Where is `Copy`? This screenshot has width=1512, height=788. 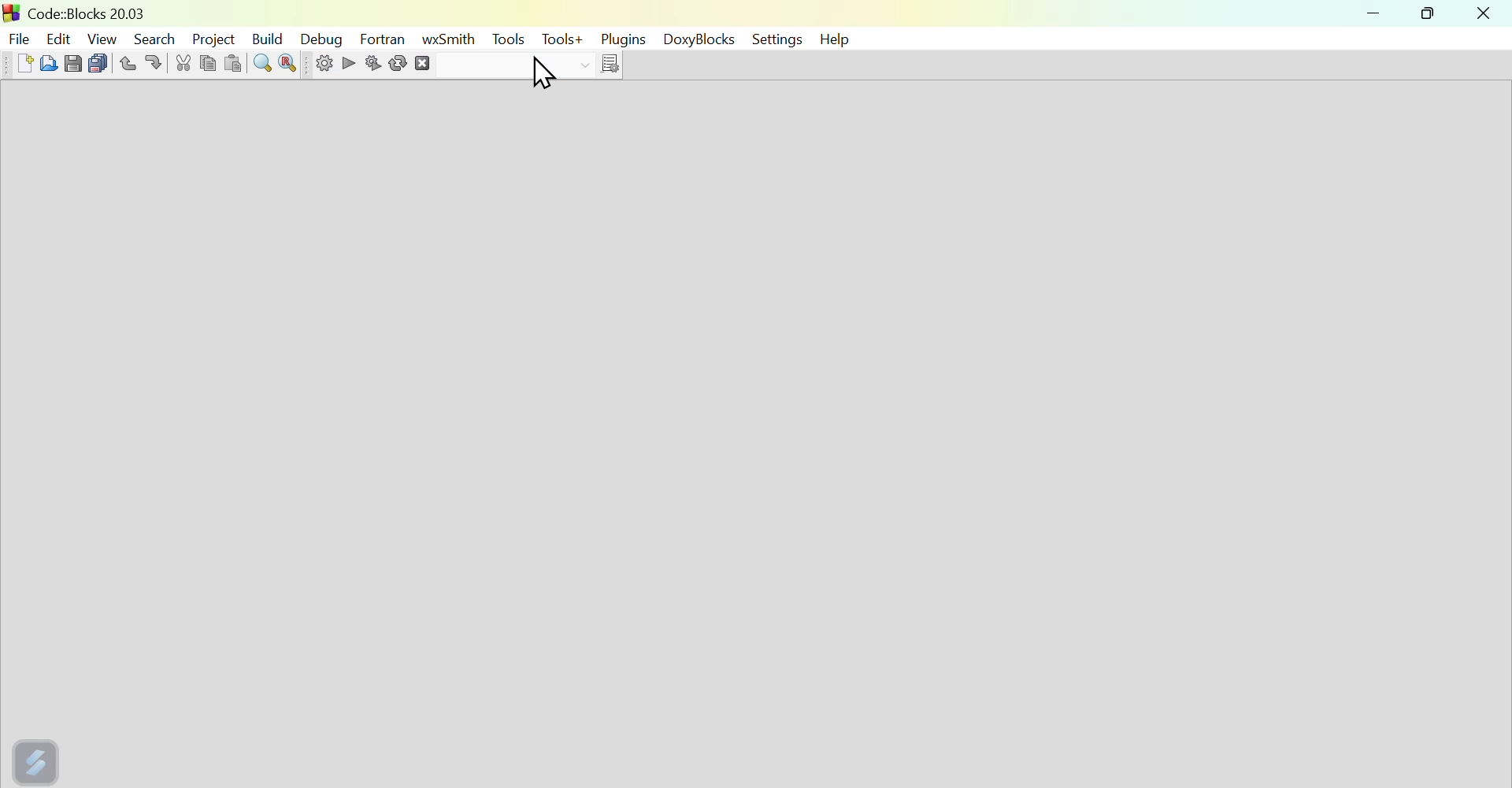
Copy is located at coordinates (209, 61).